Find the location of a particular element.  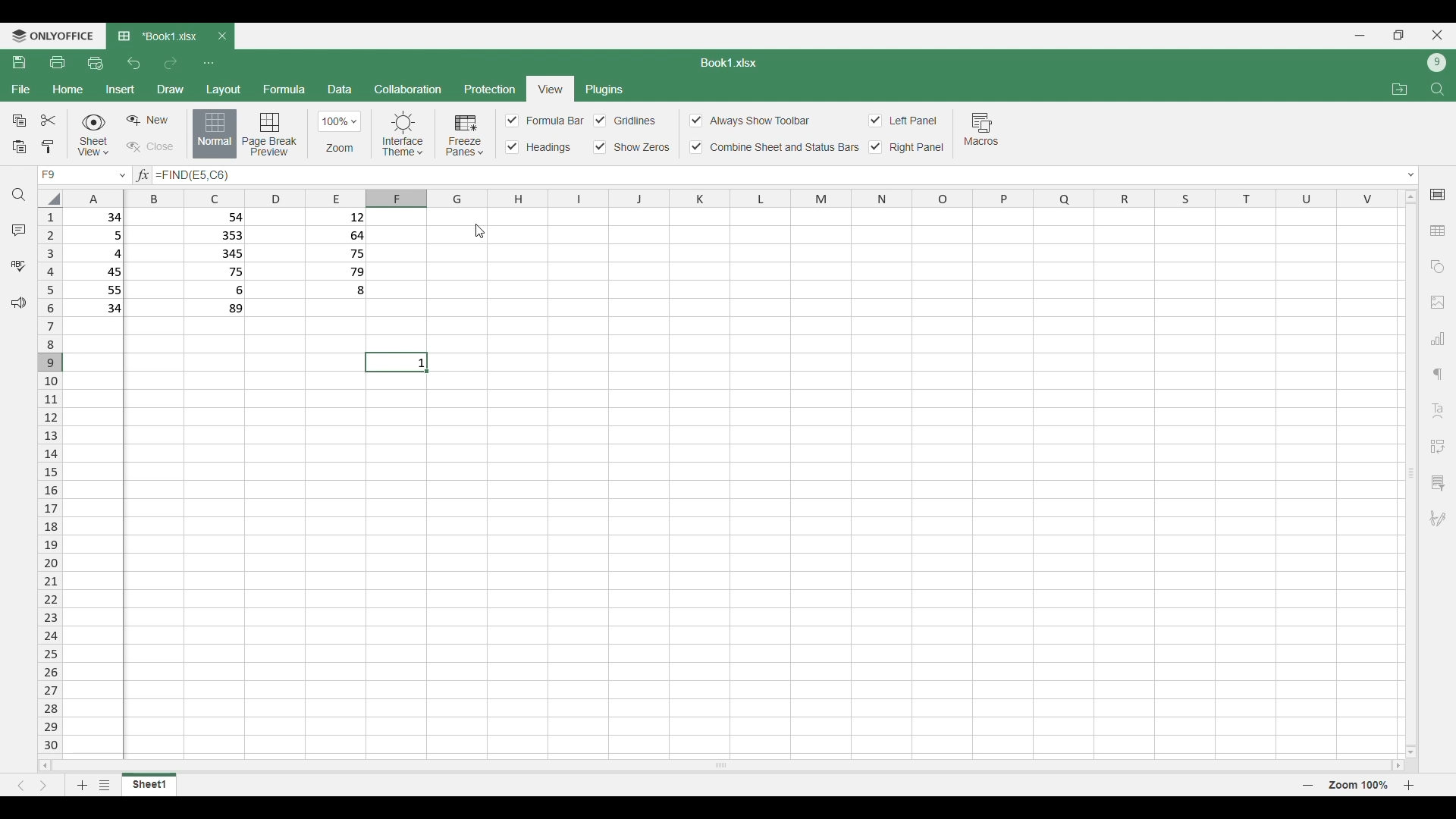

Layout menu is located at coordinates (222, 90).